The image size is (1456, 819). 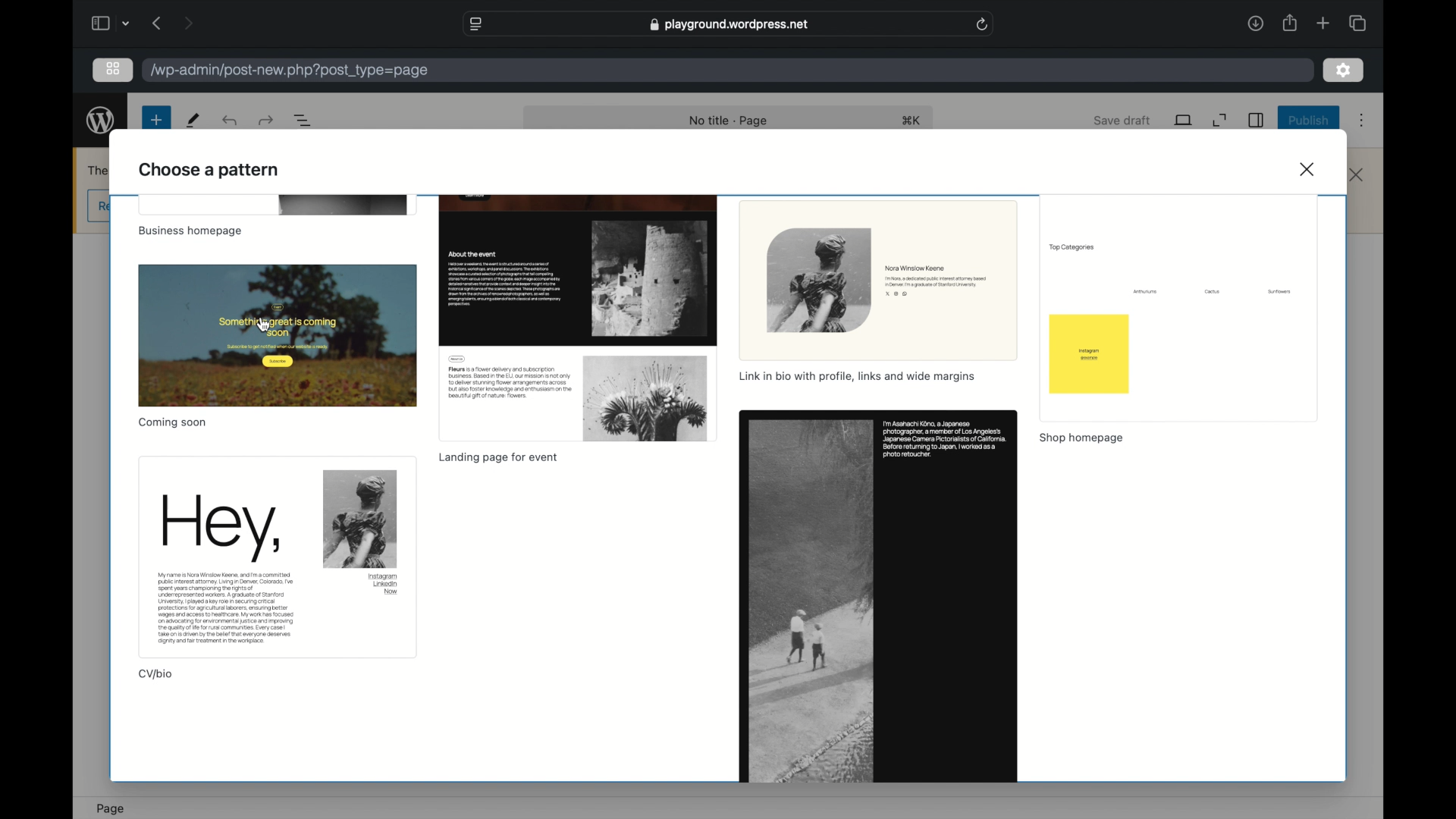 What do you see at coordinates (101, 122) in the screenshot?
I see `wordpress` at bounding box center [101, 122].